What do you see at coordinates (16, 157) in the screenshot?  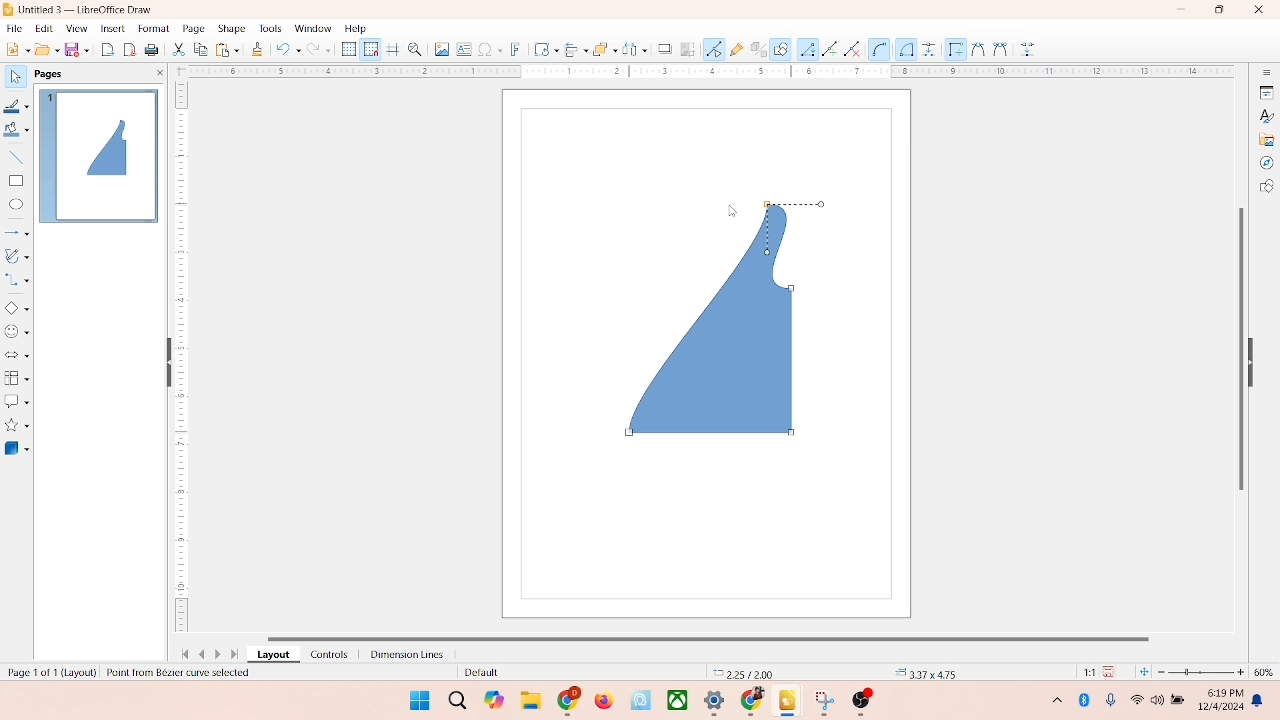 I see `insert line` at bounding box center [16, 157].